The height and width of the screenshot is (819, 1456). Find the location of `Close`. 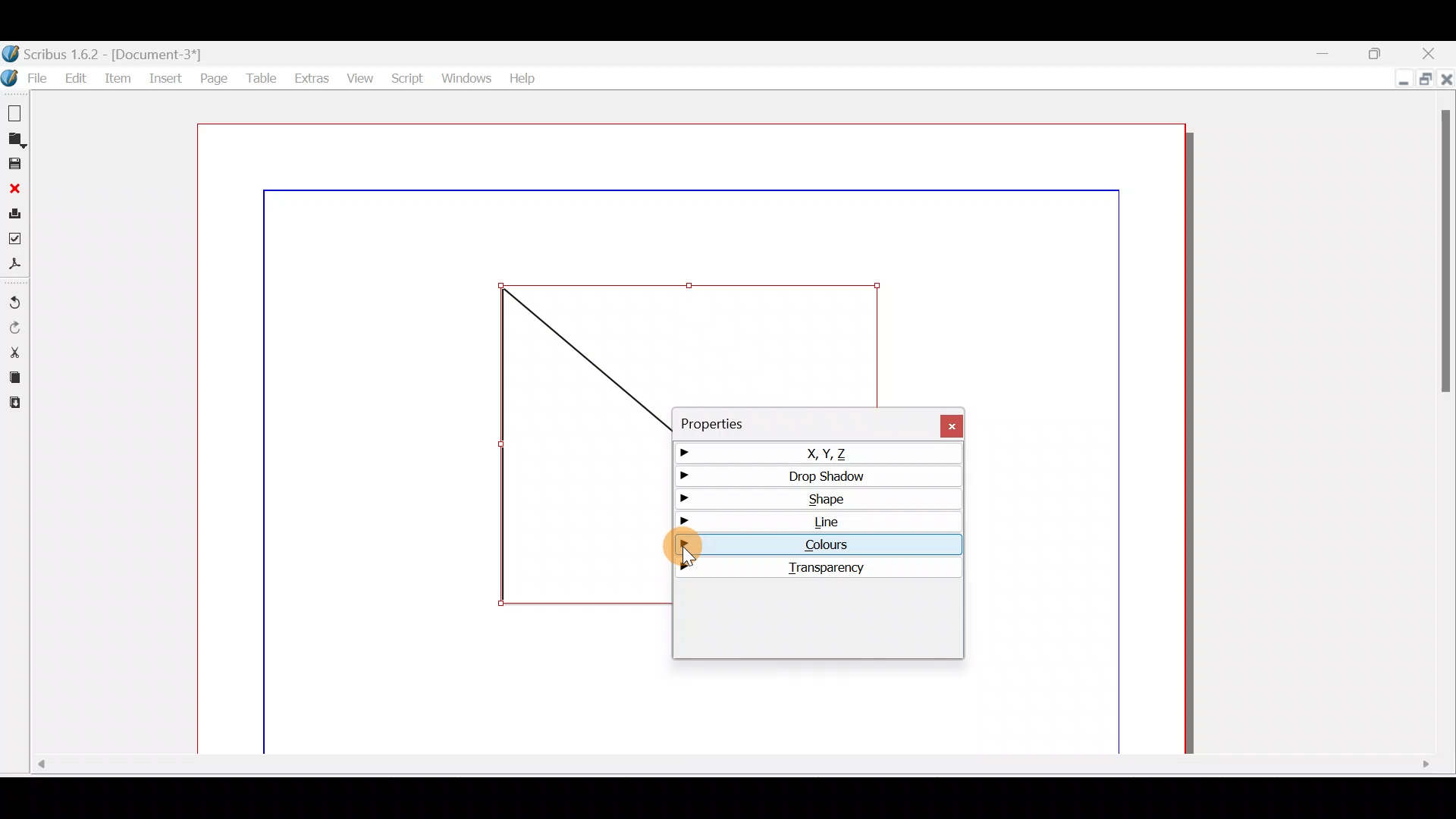

Close is located at coordinates (1446, 81).